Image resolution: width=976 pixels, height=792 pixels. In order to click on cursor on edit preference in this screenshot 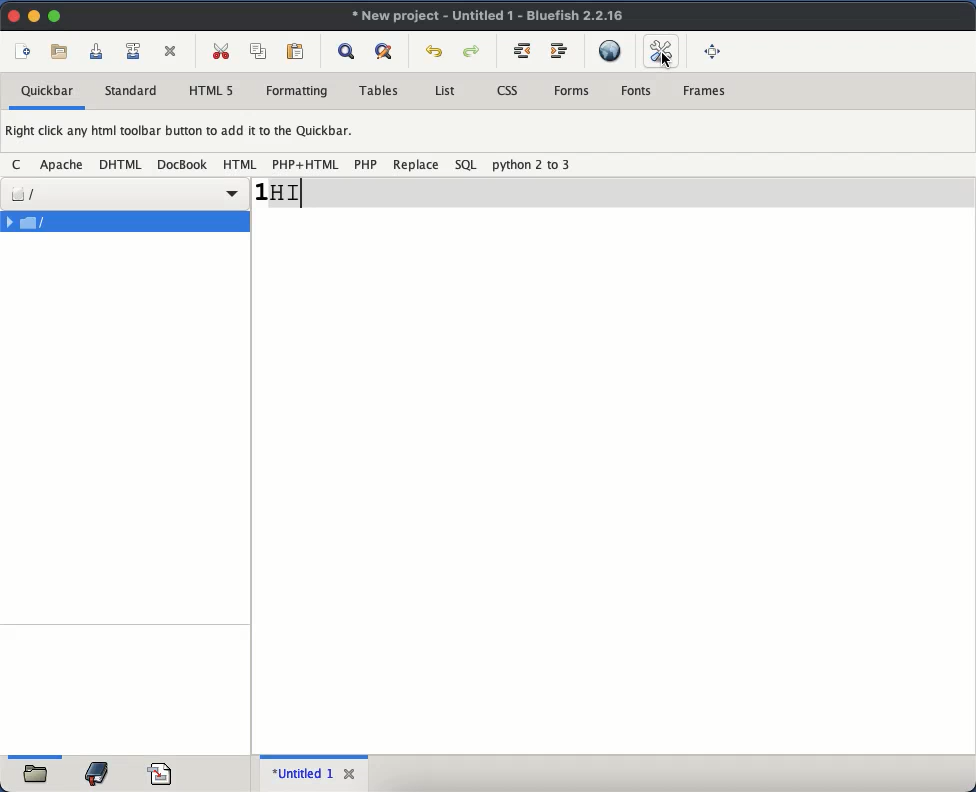, I will do `click(667, 60)`.